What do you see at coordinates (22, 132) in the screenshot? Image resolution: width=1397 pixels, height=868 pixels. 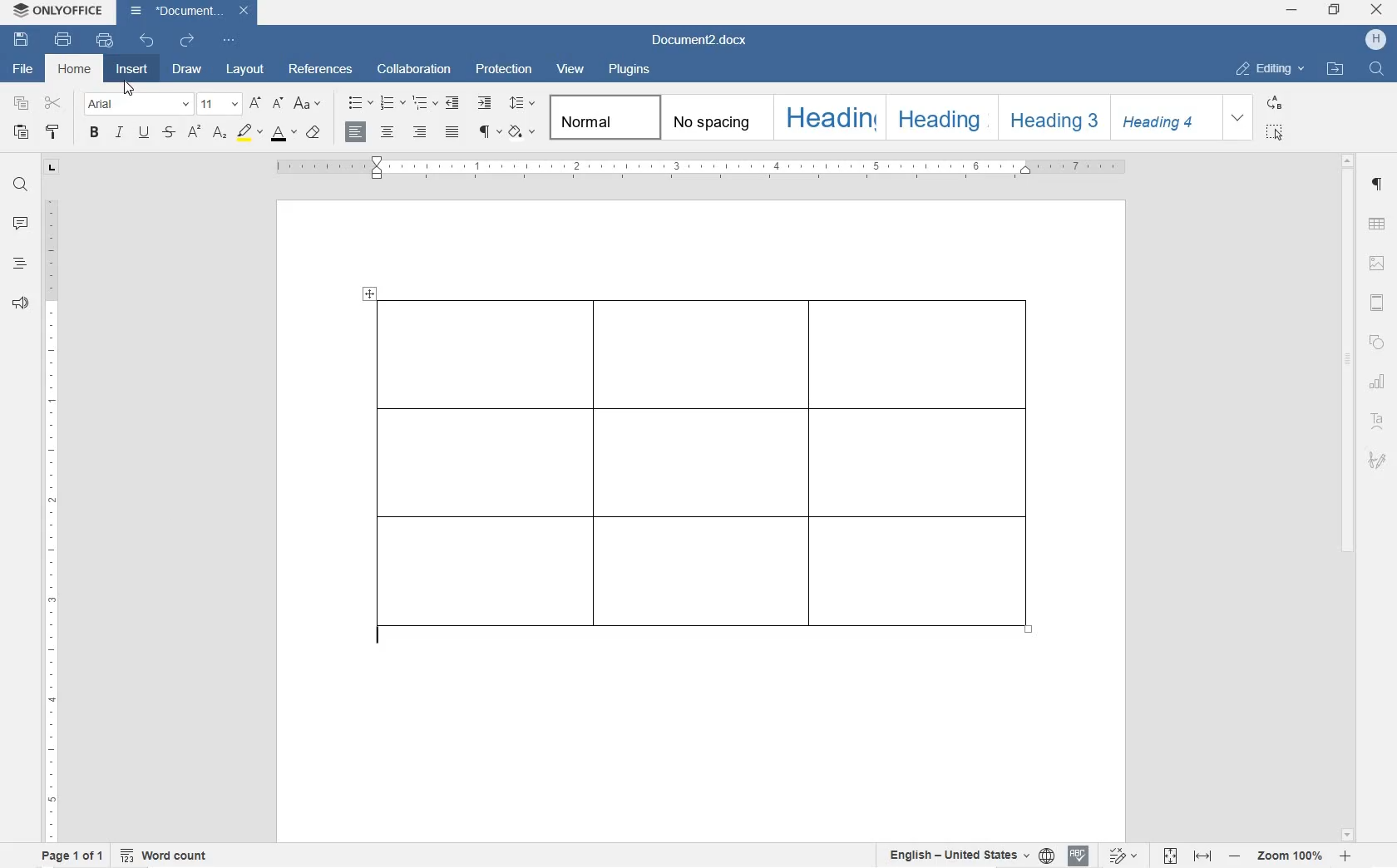 I see `paste` at bounding box center [22, 132].